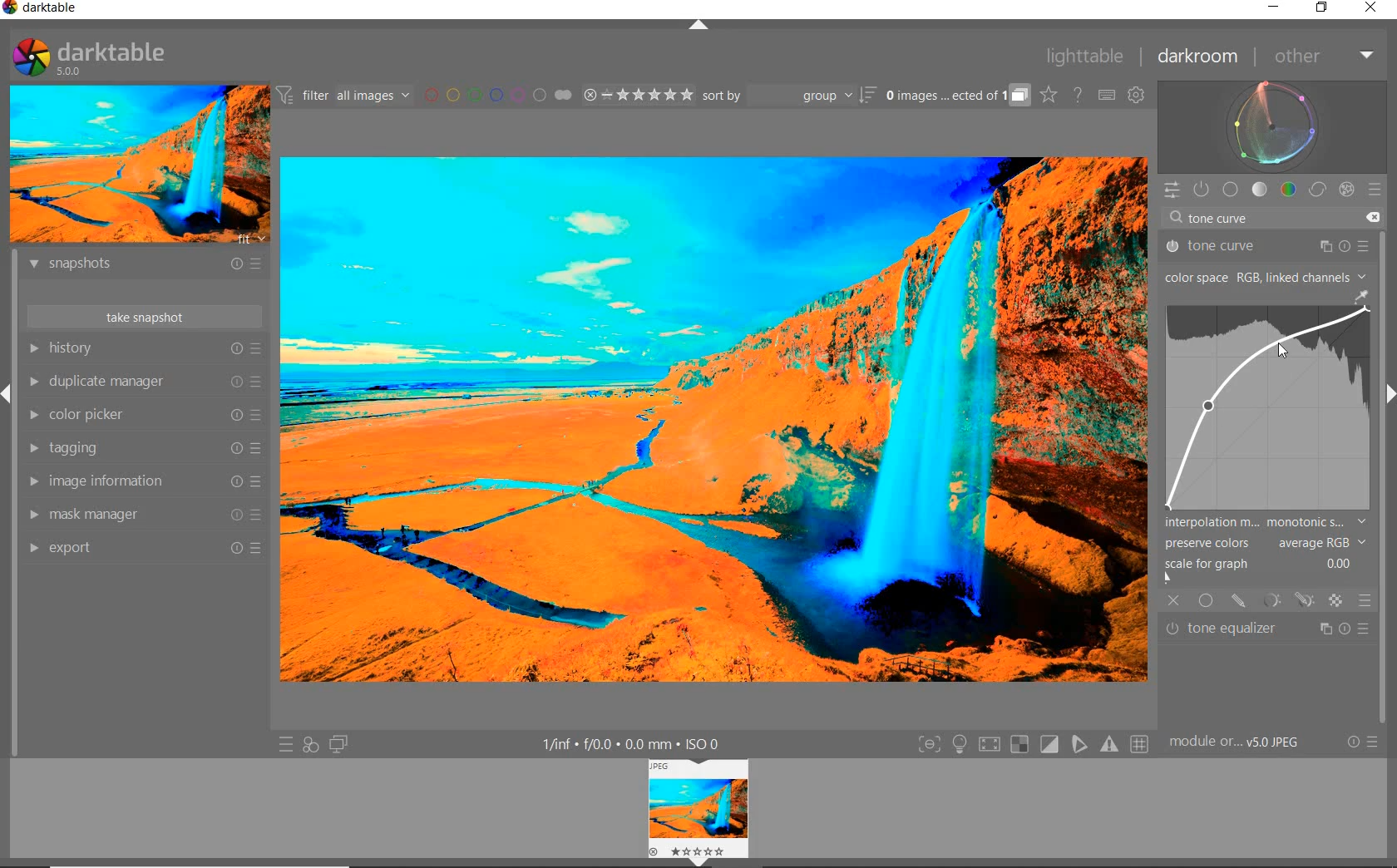  I want to click on MODULE...v5.0 JPEG, so click(1239, 743).